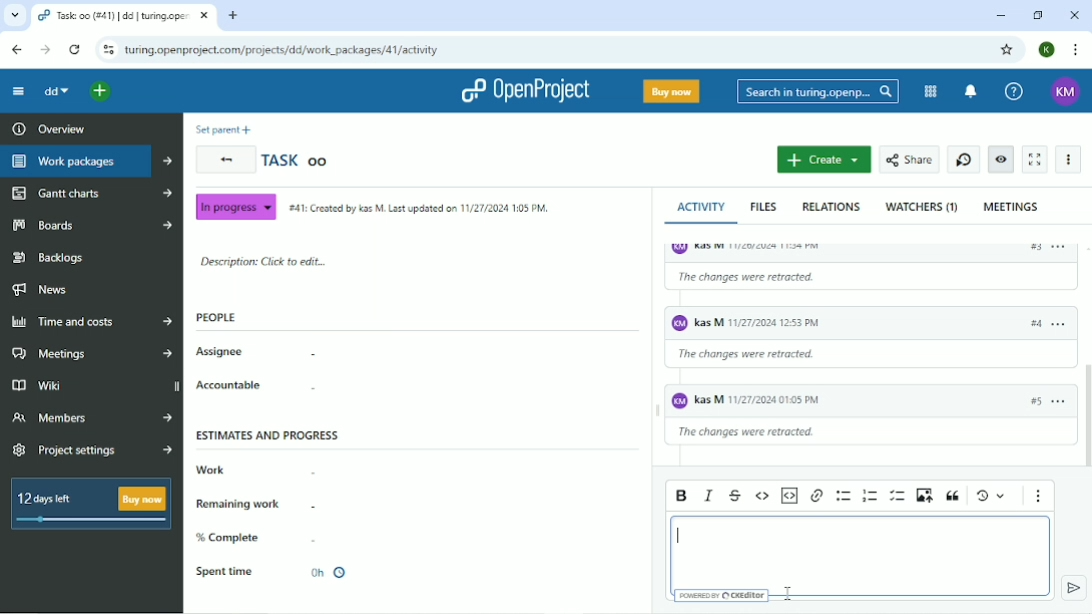 This screenshot has width=1092, height=614. I want to click on #4, so click(1034, 400).